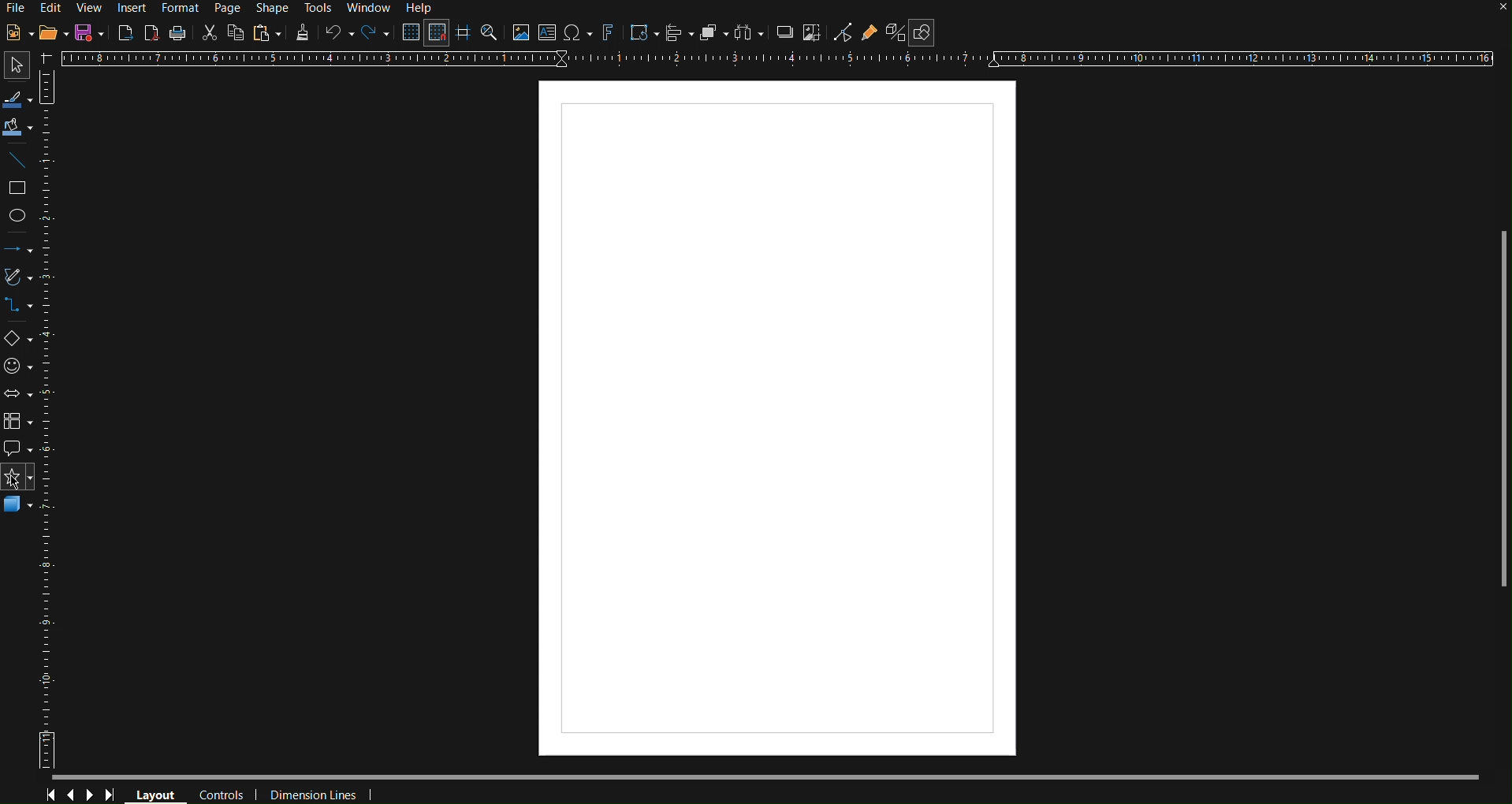 The width and height of the screenshot is (1512, 804). Describe the element at coordinates (813, 35) in the screenshot. I see `Crop Image` at that location.